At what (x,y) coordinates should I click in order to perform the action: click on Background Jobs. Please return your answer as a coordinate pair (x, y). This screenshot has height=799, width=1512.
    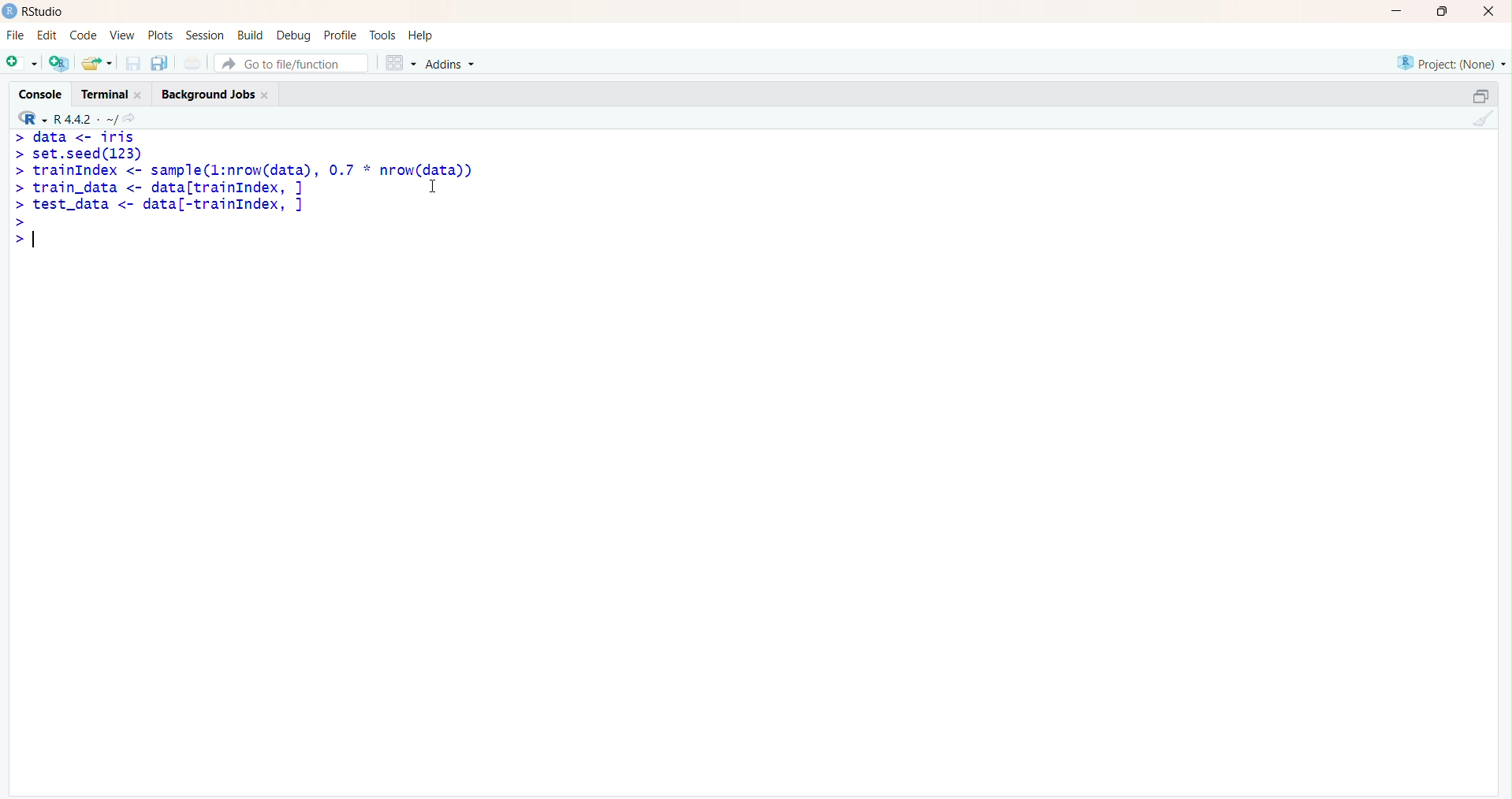
    Looking at the image, I should click on (215, 93).